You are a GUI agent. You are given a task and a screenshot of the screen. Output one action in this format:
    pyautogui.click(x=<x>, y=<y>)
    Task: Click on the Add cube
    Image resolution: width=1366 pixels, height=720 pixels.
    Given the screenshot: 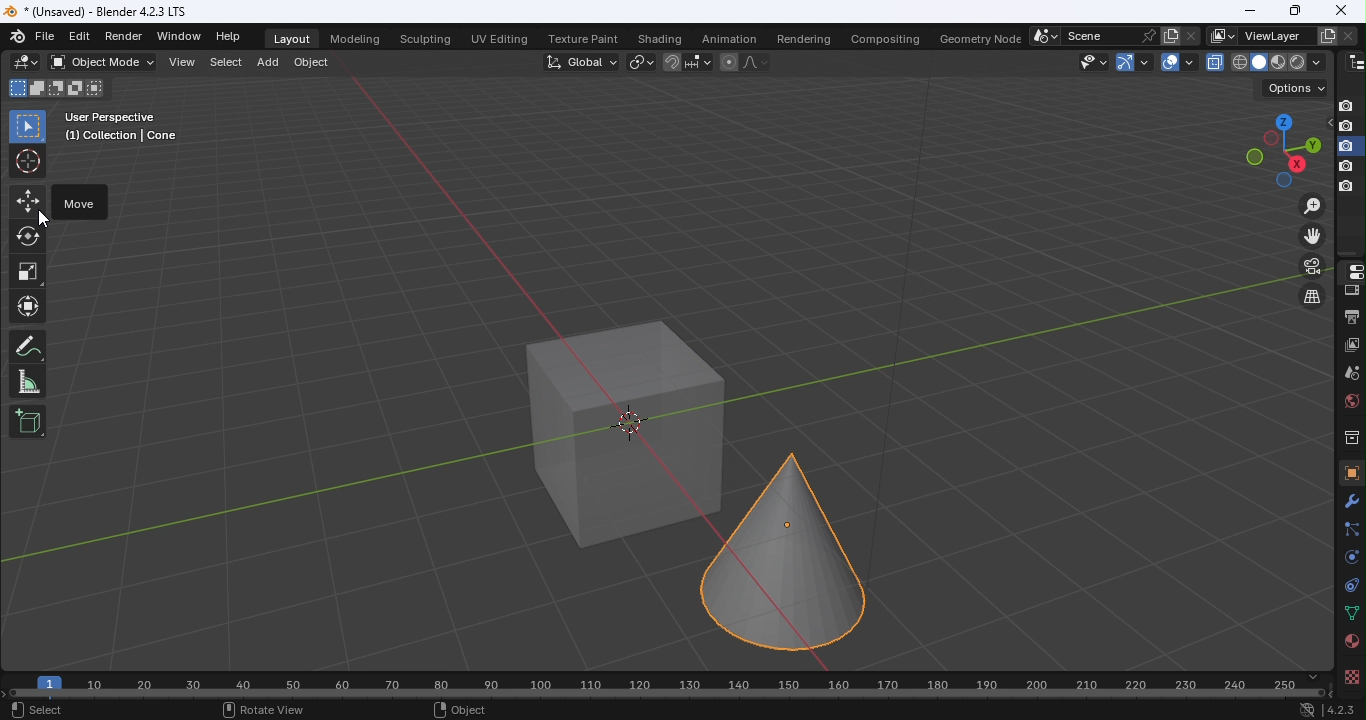 What is the action you would take?
    pyautogui.click(x=28, y=420)
    